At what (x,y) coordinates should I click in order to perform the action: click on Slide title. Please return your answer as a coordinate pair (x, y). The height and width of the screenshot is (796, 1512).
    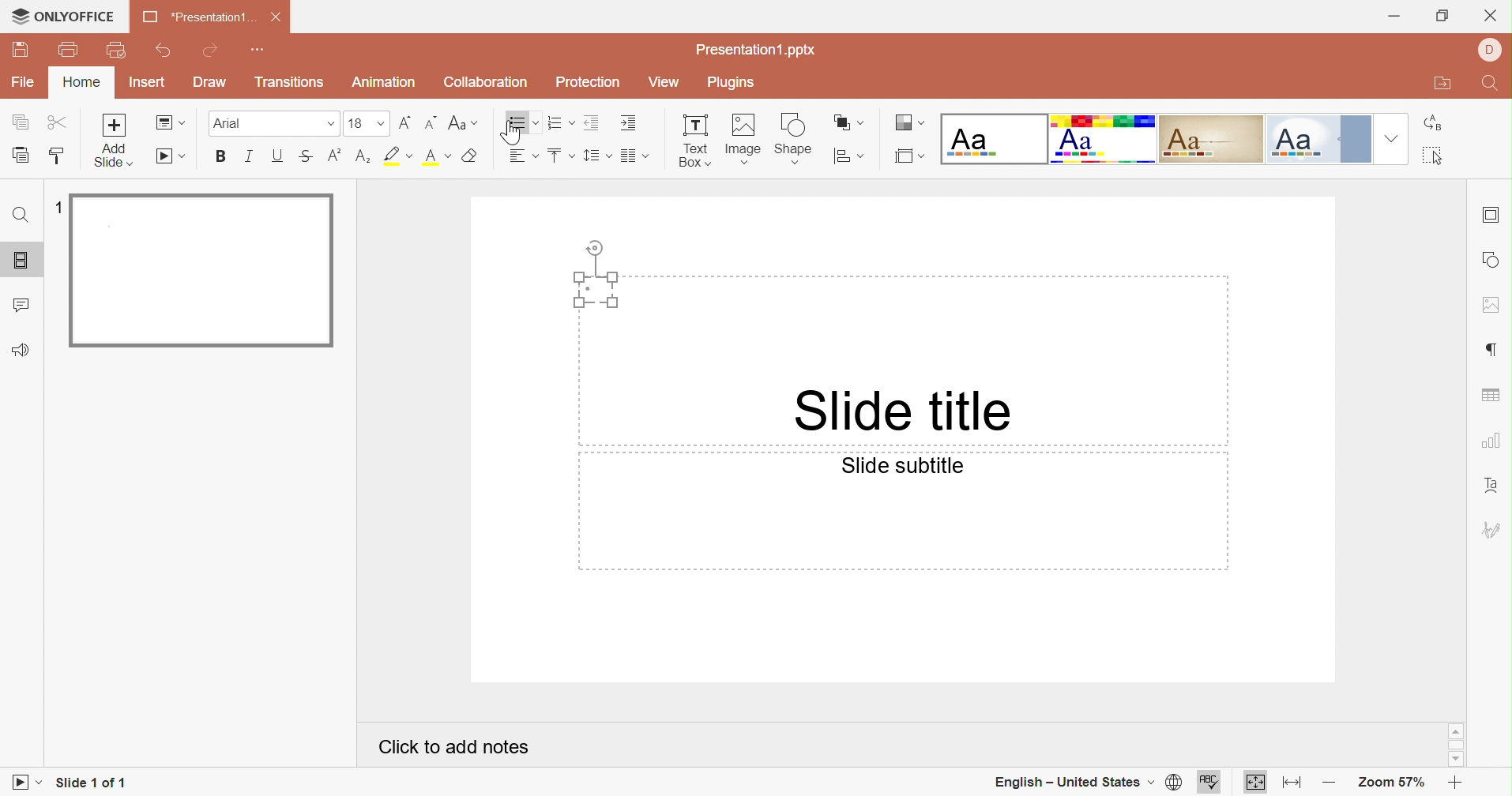
    Looking at the image, I should click on (903, 411).